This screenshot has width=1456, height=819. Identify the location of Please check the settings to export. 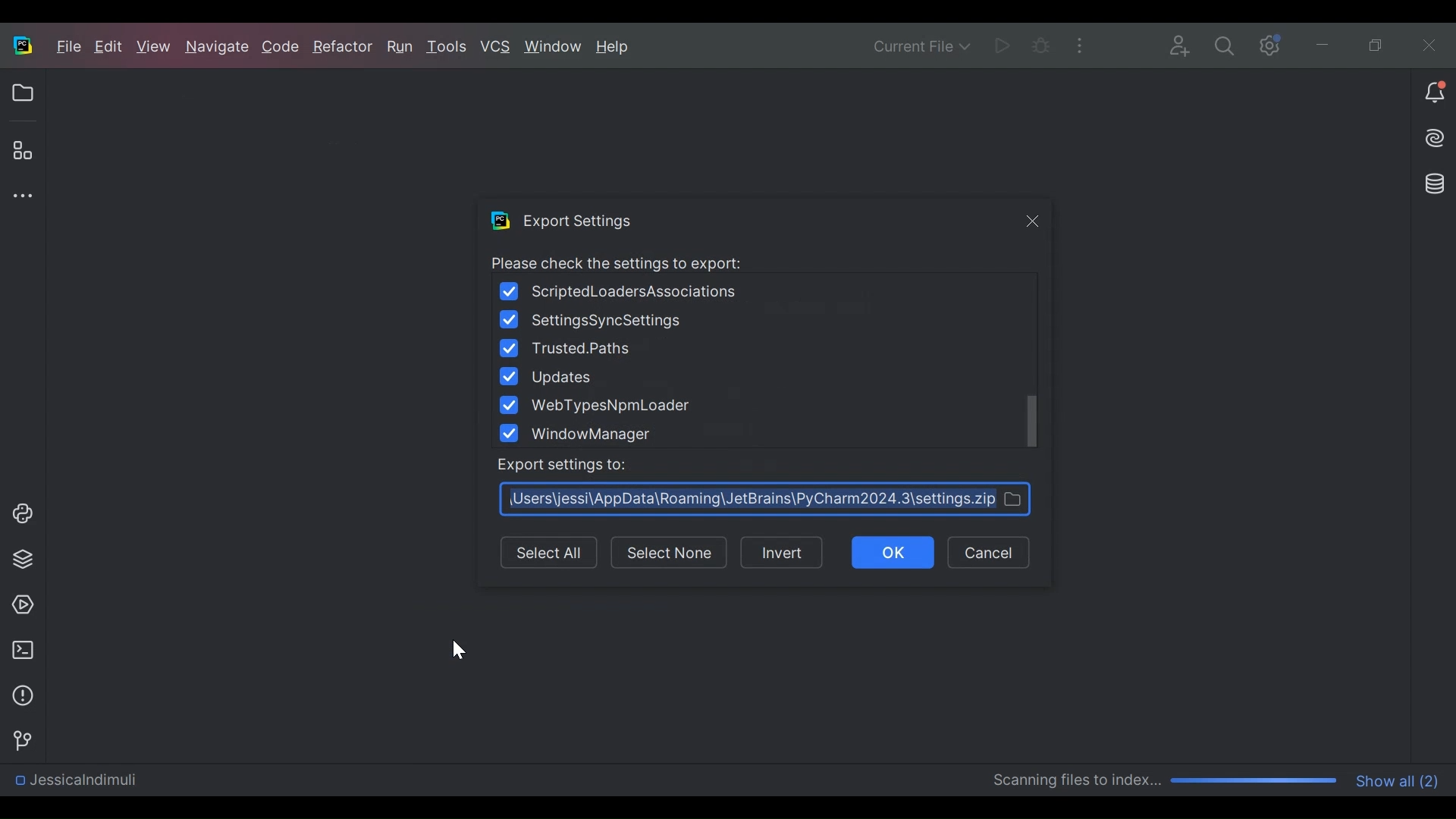
(613, 262).